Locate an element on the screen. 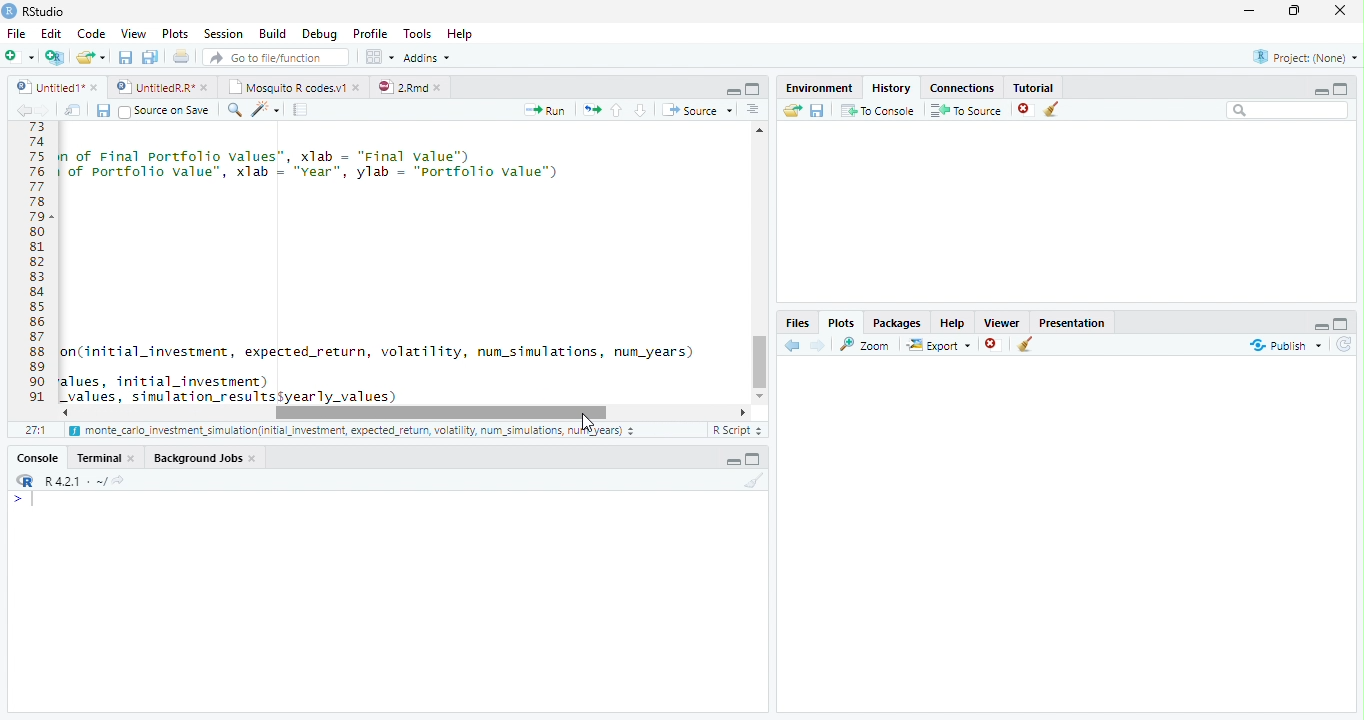 Image resolution: width=1364 pixels, height=720 pixels. Code Tools is located at coordinates (266, 110).